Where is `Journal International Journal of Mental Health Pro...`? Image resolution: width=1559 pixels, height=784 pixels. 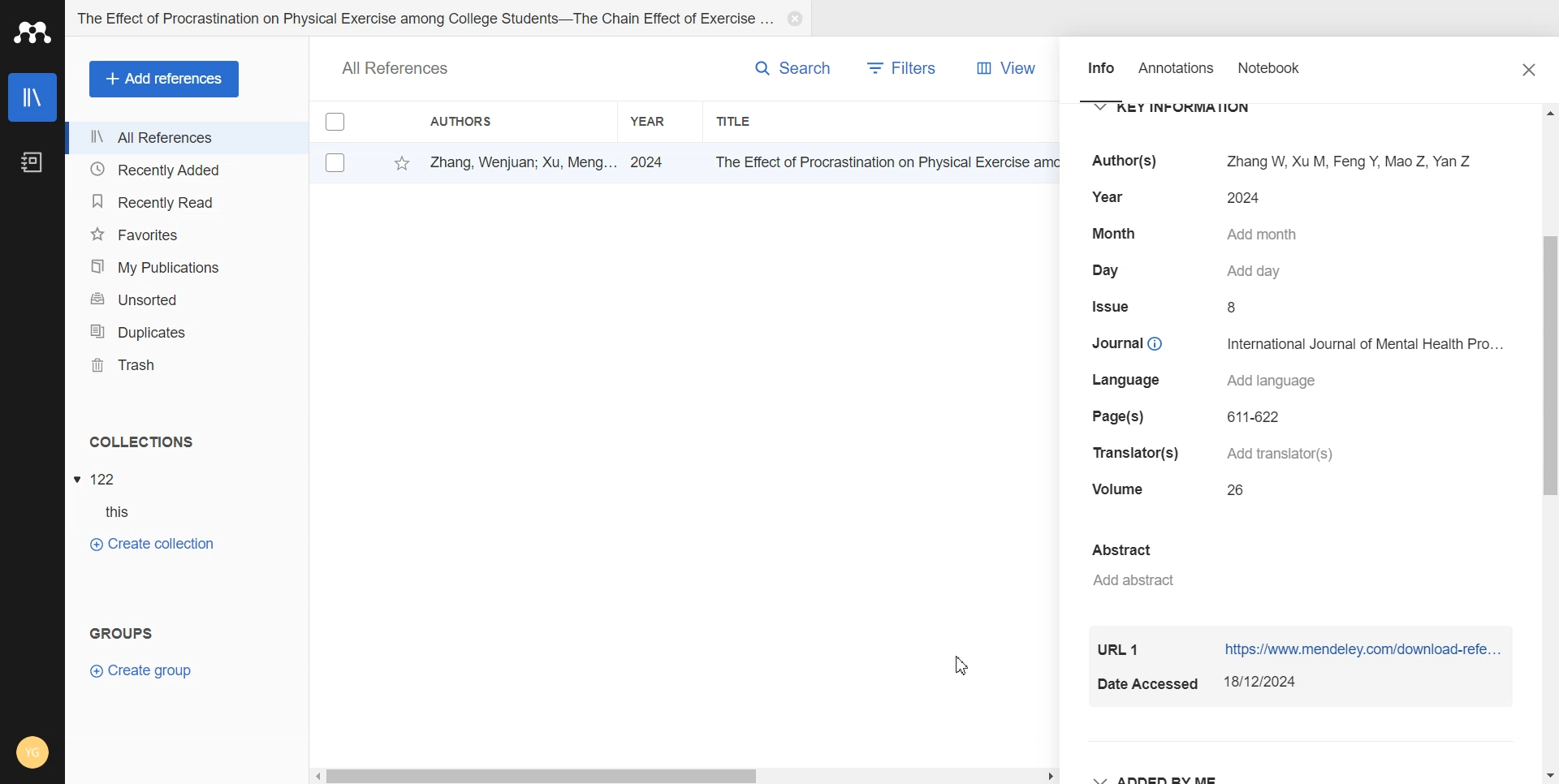 Journal International Journal of Mental Health Pro... is located at coordinates (1296, 342).